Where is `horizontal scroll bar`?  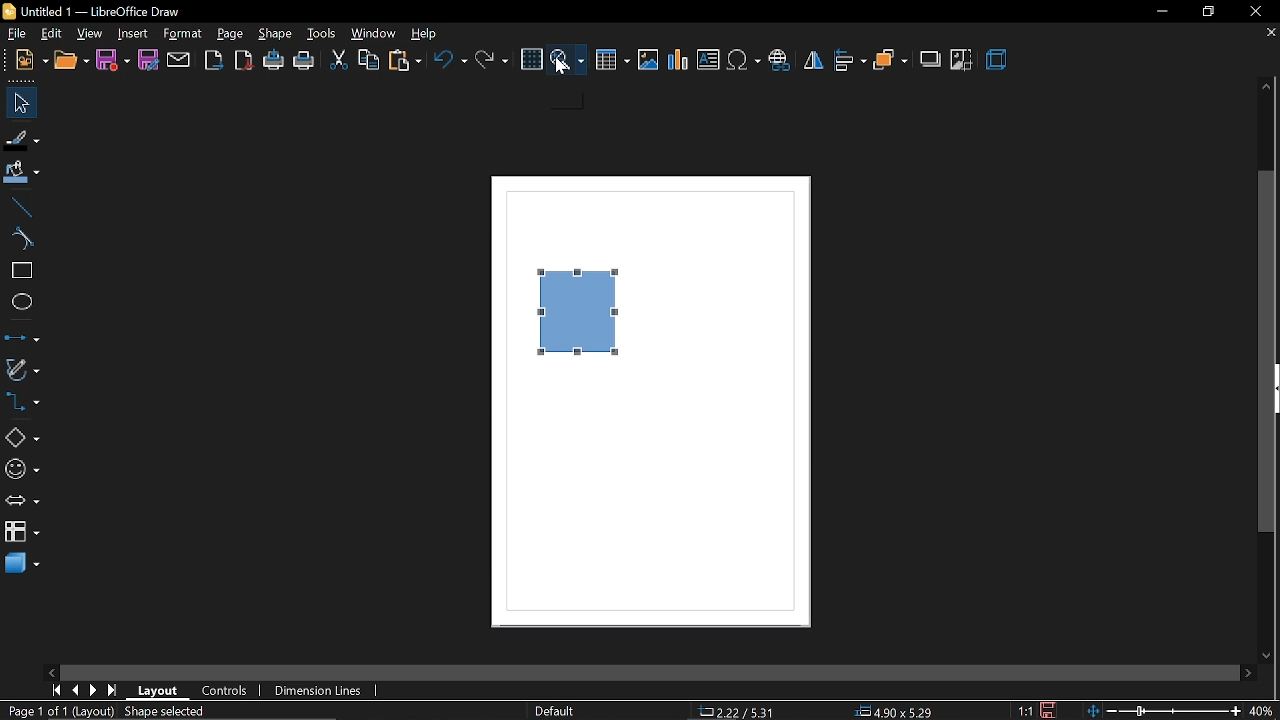 horizontal scroll bar is located at coordinates (648, 673).